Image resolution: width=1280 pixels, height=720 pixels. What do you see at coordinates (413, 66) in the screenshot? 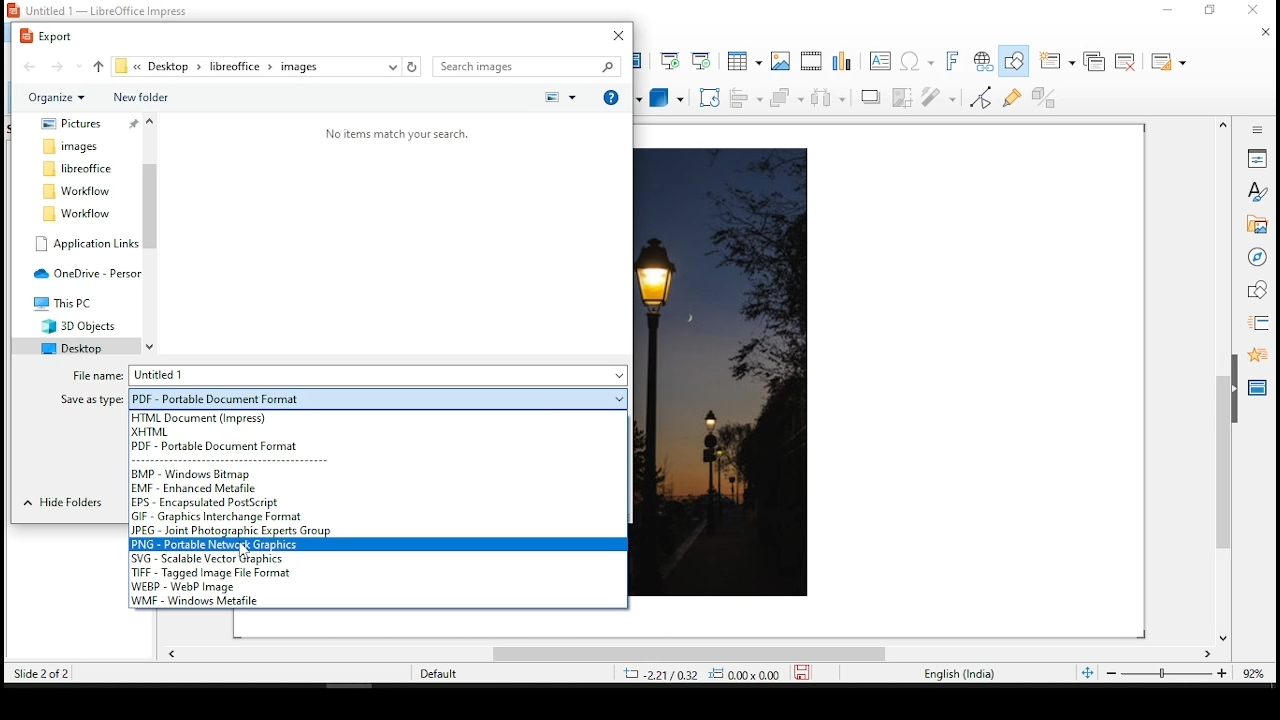
I see `refresh` at bounding box center [413, 66].